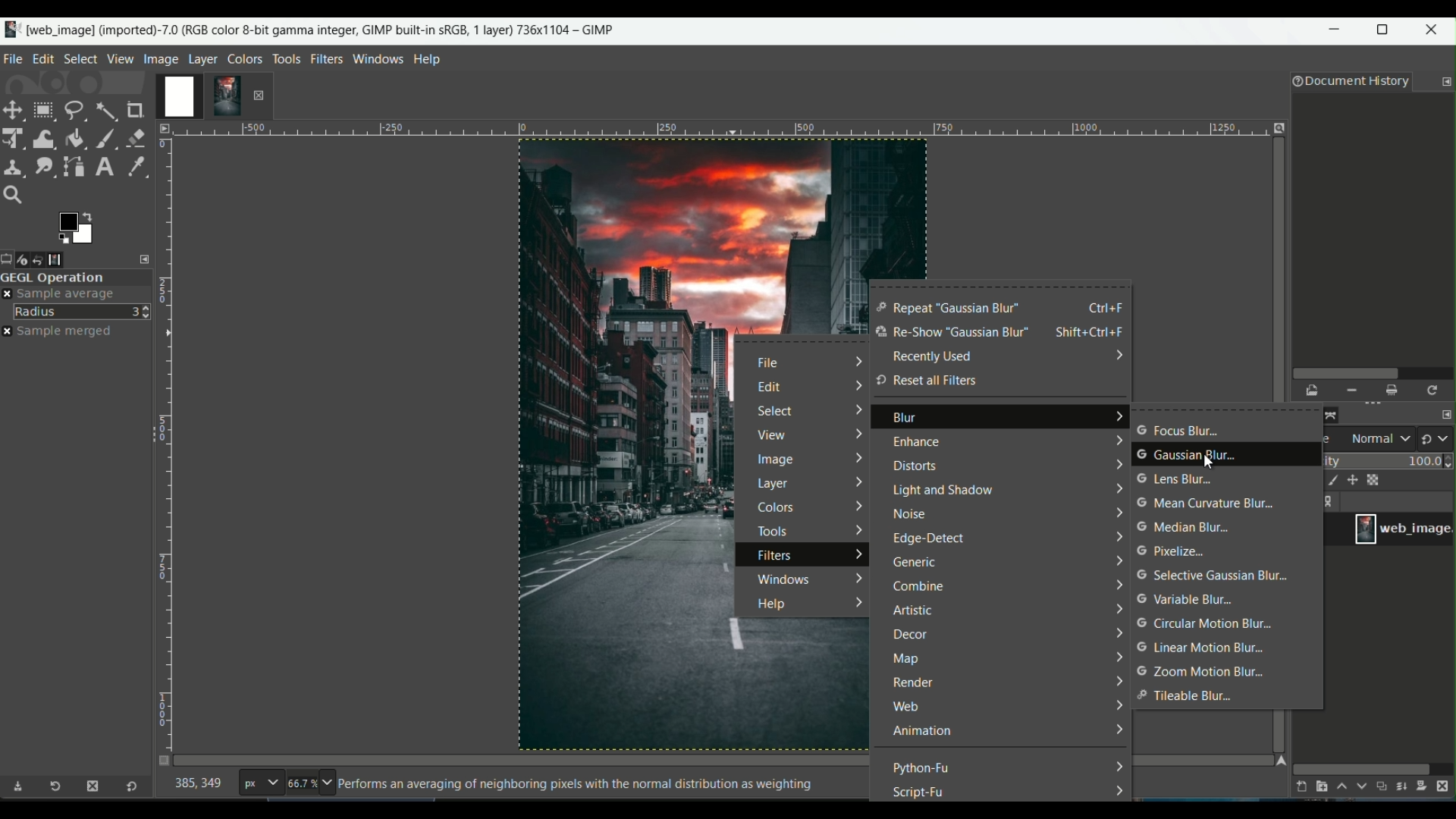 Image resolution: width=1456 pixels, height=819 pixels. Describe the element at coordinates (1107, 307) in the screenshot. I see `keyboard shortcut` at that location.